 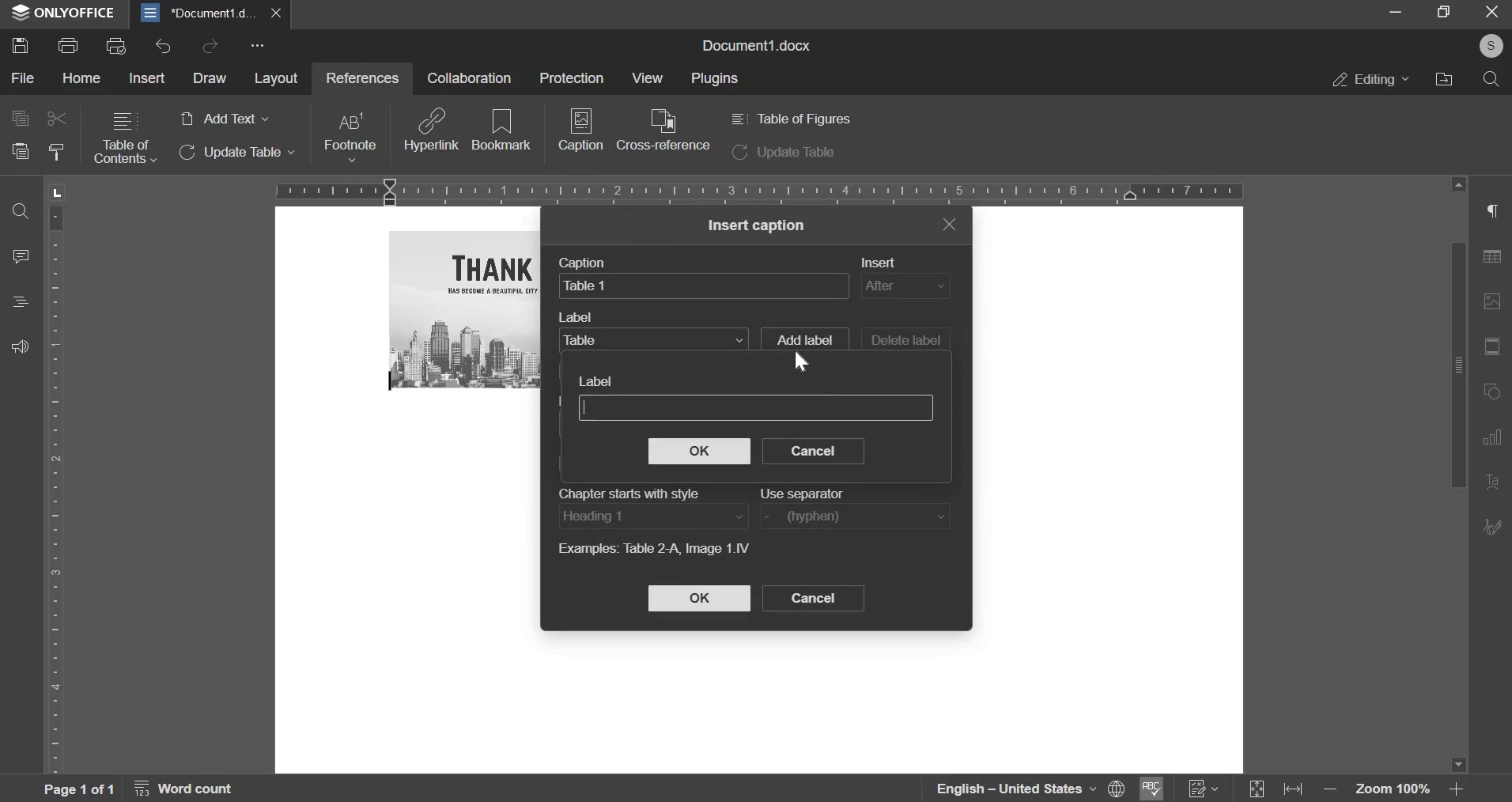 I want to click on save, so click(x=19, y=44).